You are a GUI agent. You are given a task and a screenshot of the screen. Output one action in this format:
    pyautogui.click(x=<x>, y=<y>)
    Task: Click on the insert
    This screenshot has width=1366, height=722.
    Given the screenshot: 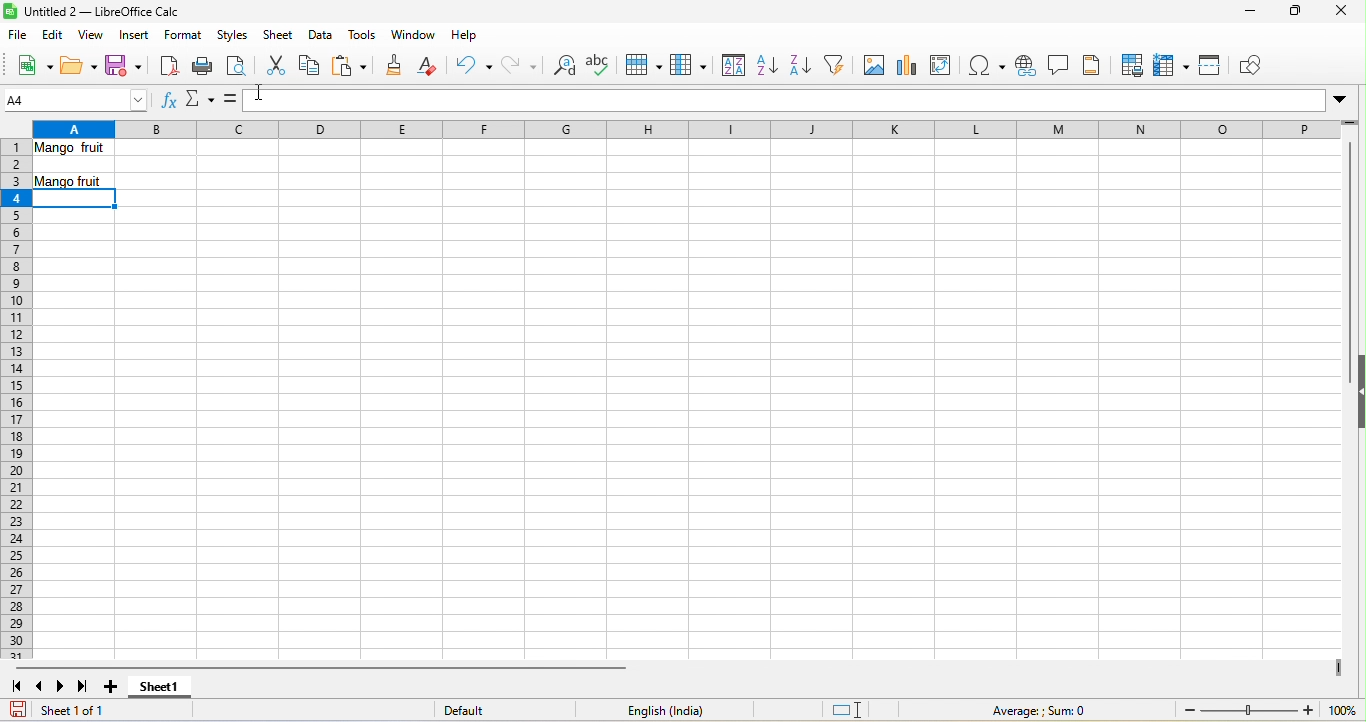 What is the action you would take?
    pyautogui.click(x=135, y=36)
    